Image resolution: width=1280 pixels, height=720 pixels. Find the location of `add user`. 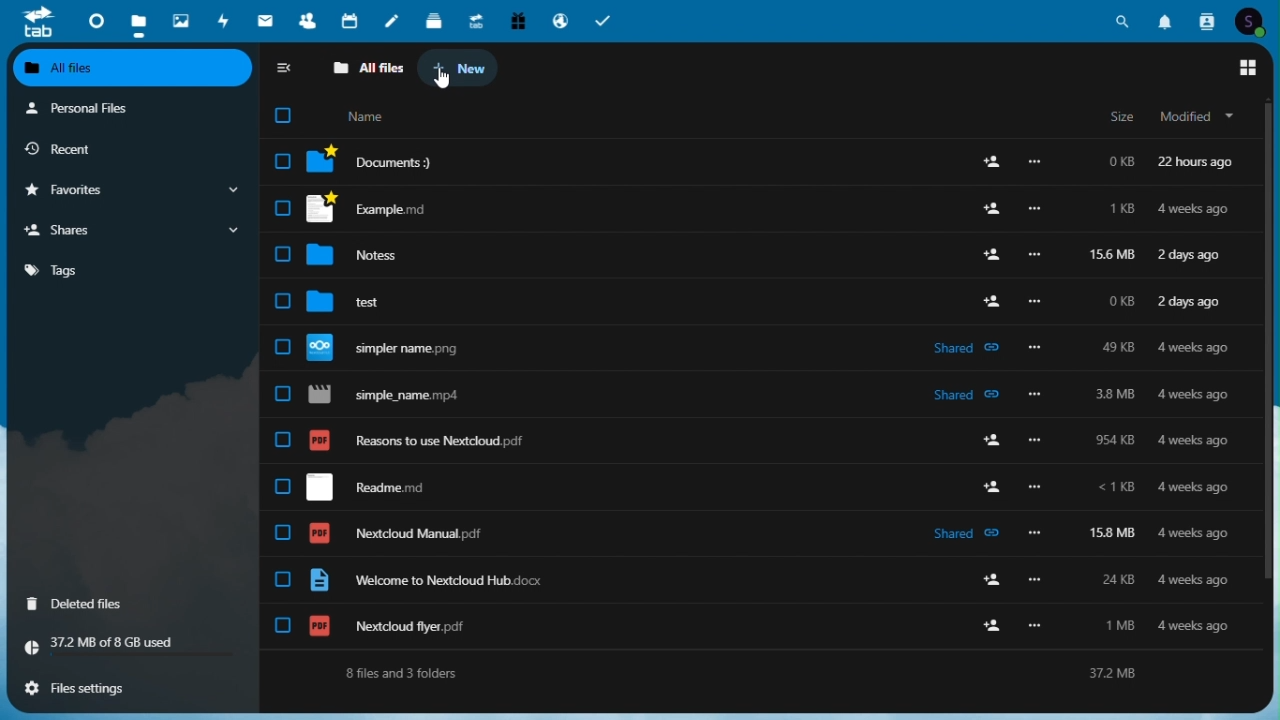

add user is located at coordinates (990, 209).